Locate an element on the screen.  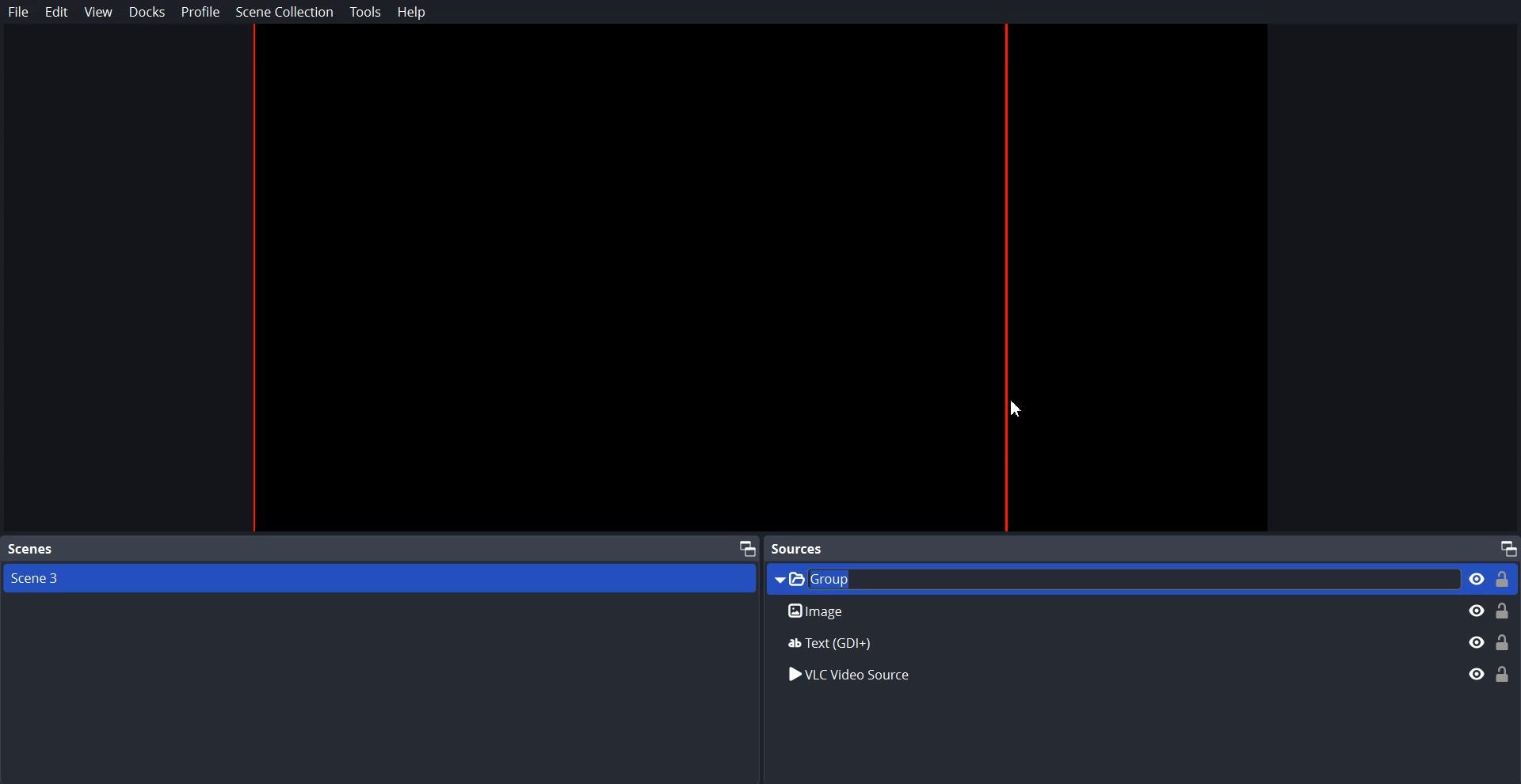
Scenes is located at coordinates (30, 550).